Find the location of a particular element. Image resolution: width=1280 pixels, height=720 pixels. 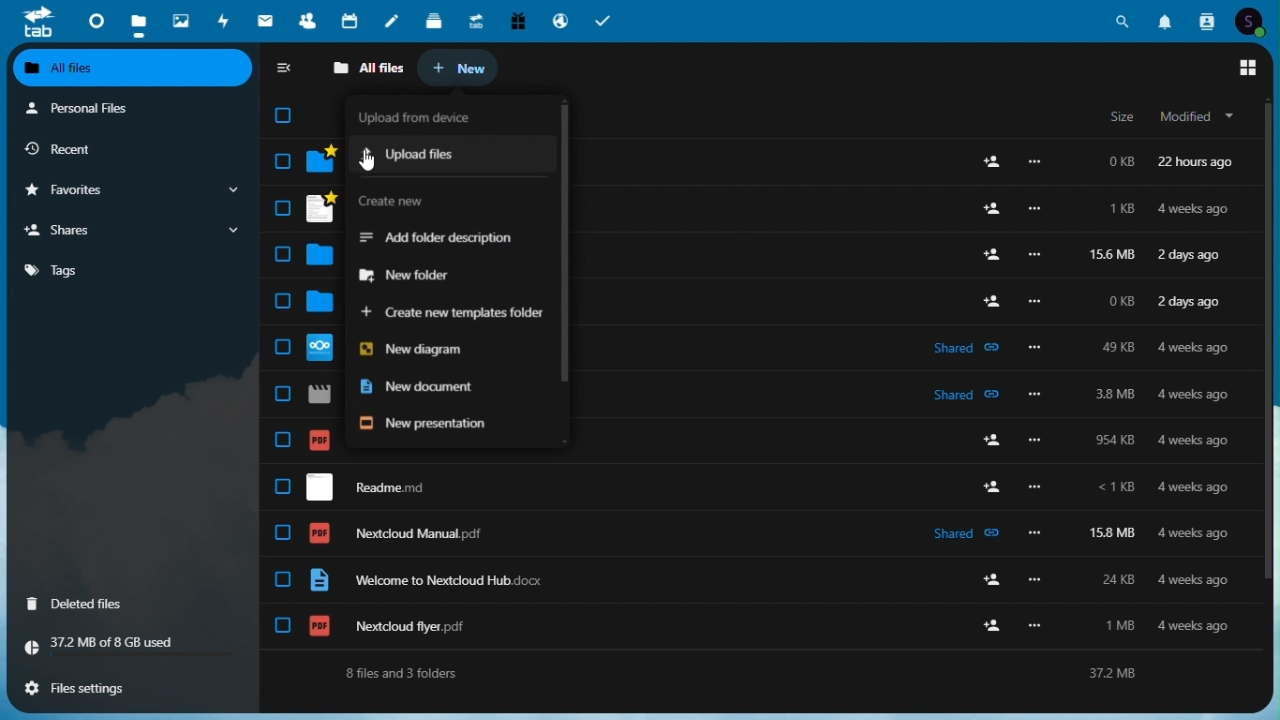

Task is located at coordinates (604, 20).